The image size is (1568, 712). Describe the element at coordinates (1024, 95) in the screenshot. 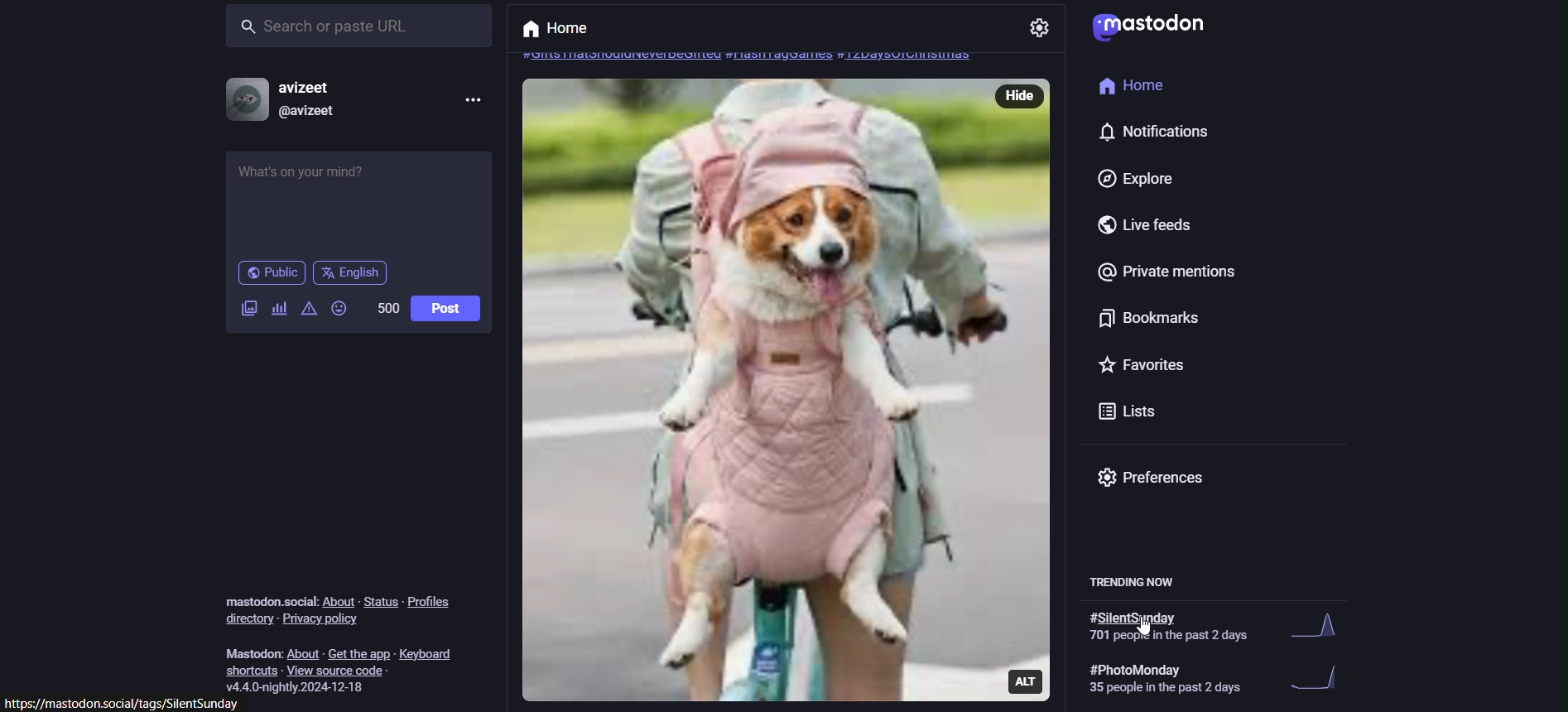

I see `Hide` at that location.